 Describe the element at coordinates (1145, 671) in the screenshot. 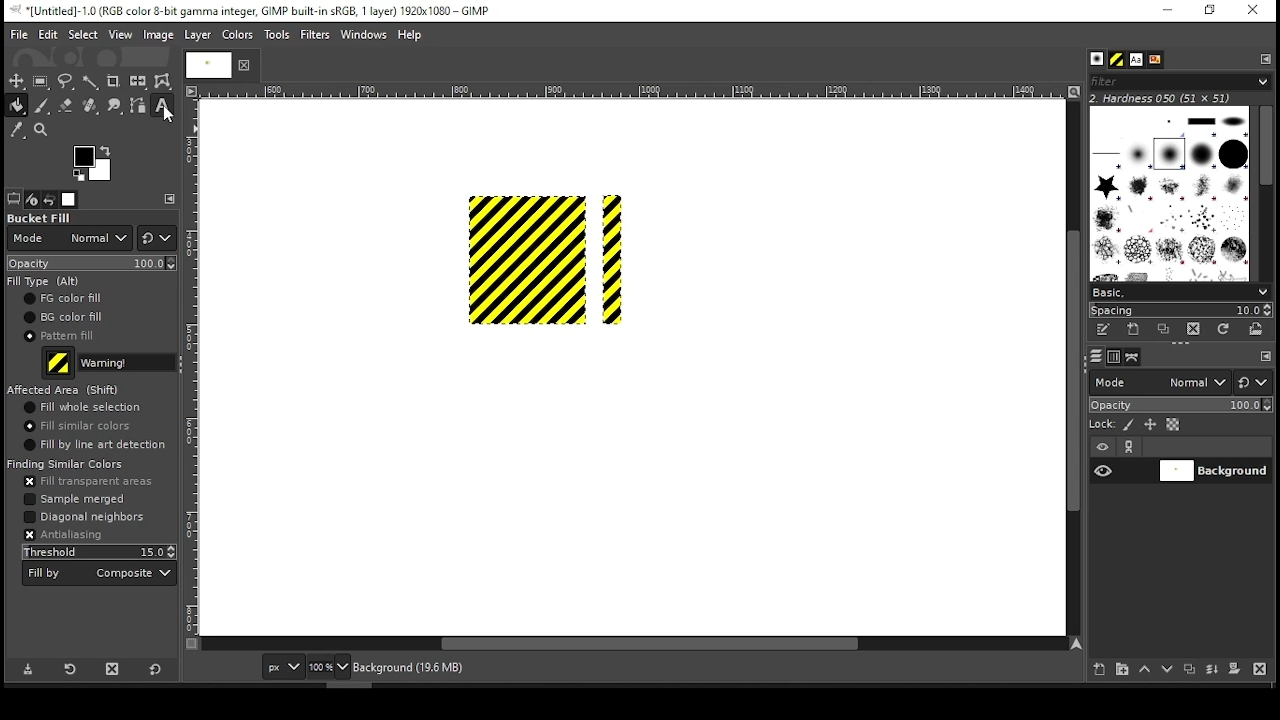

I see `move layer one step up` at that location.